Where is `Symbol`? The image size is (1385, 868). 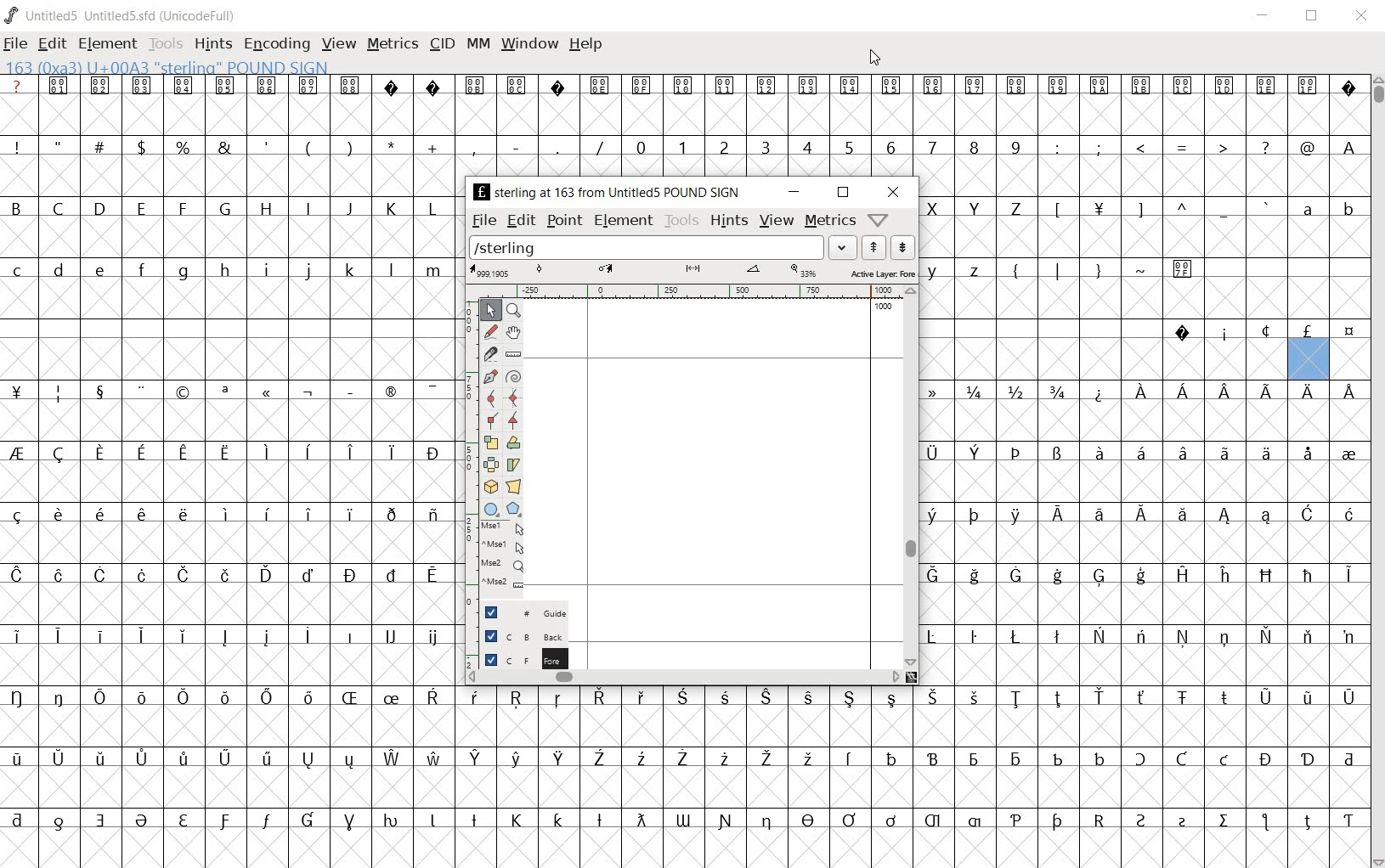 Symbol is located at coordinates (682, 759).